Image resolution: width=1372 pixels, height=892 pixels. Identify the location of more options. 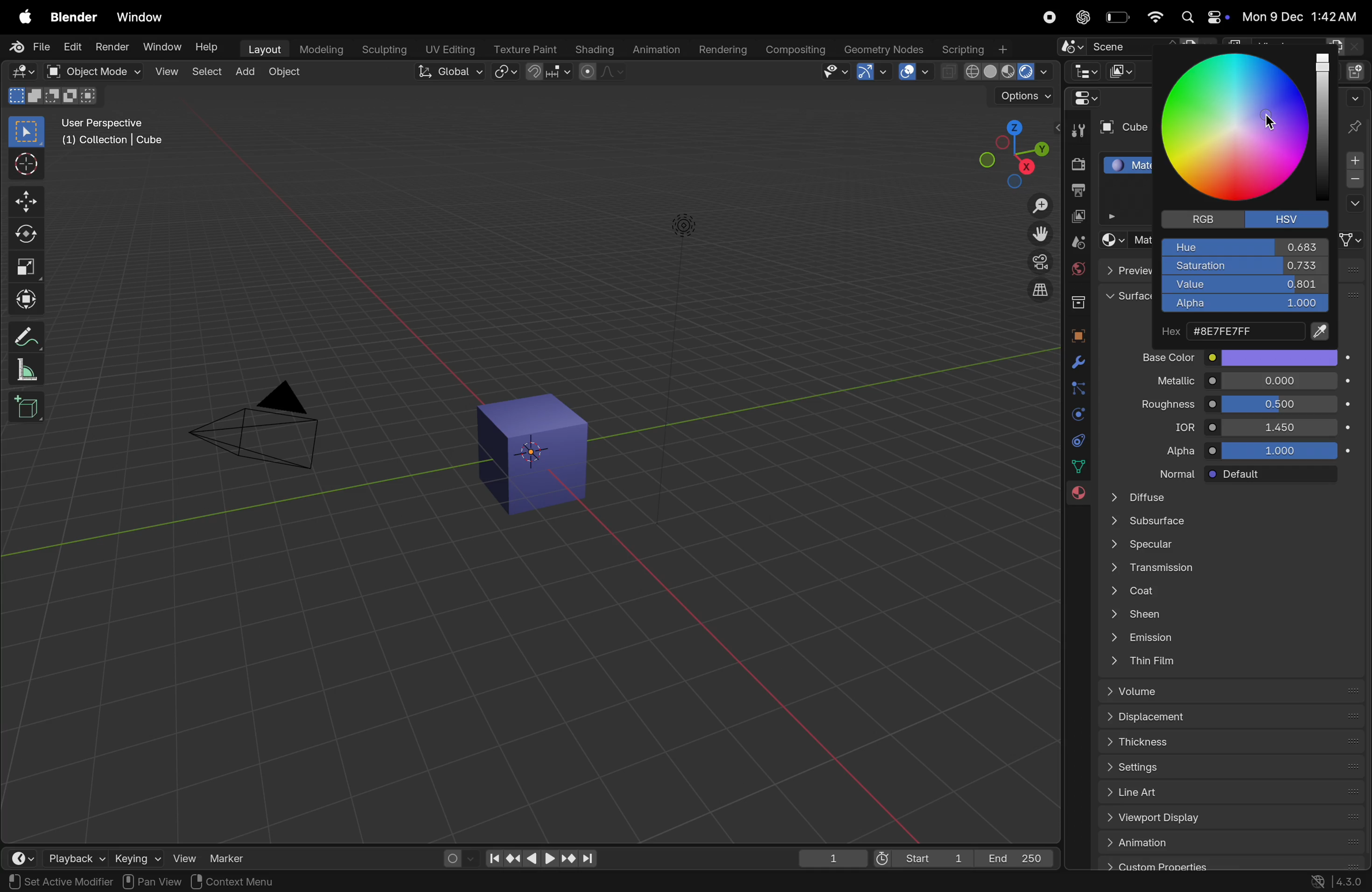
(1354, 97).